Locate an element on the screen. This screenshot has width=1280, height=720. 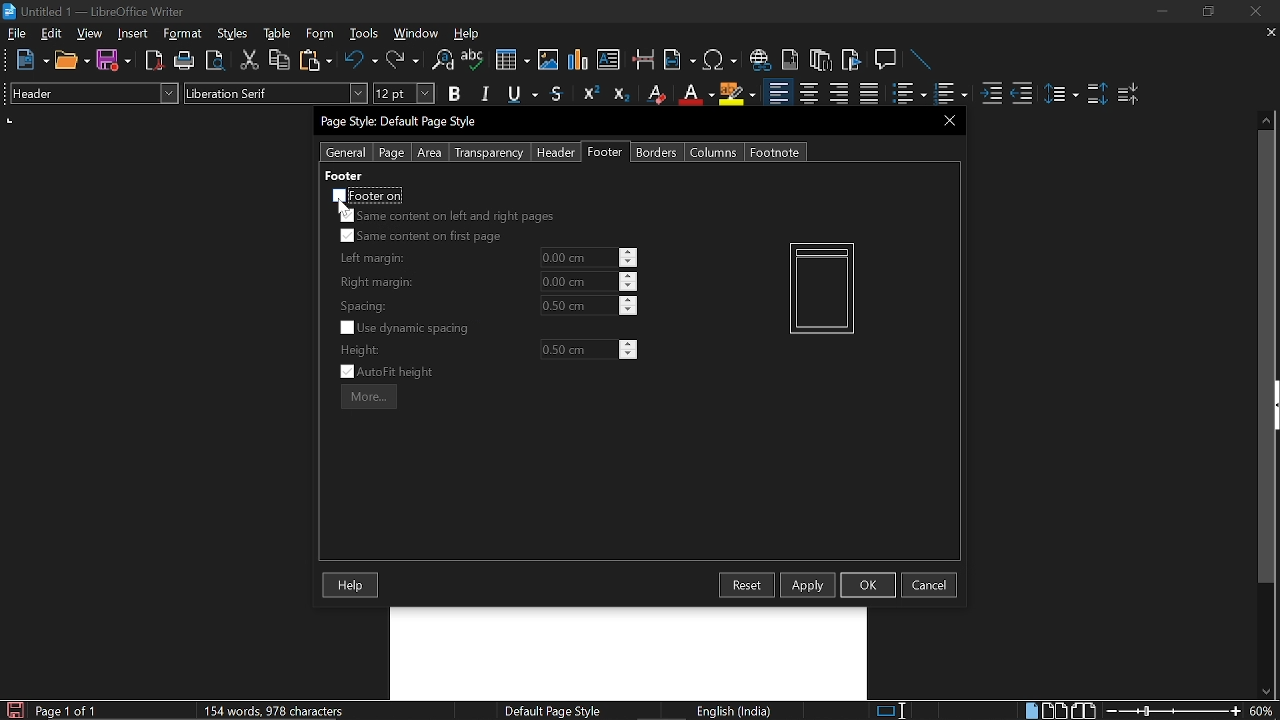
Insert hyperlink is located at coordinates (761, 60).